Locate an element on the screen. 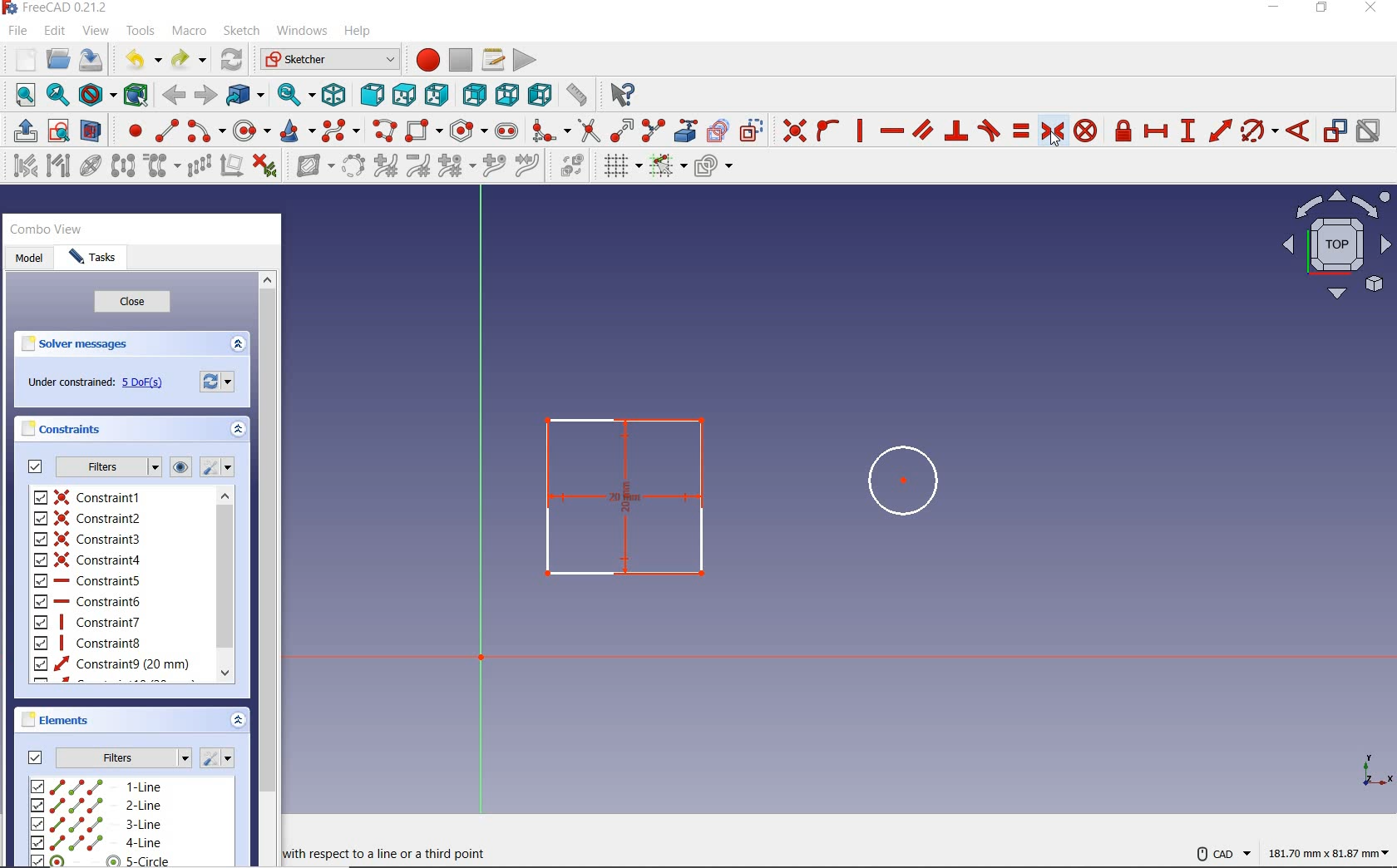  sketch is located at coordinates (243, 32).